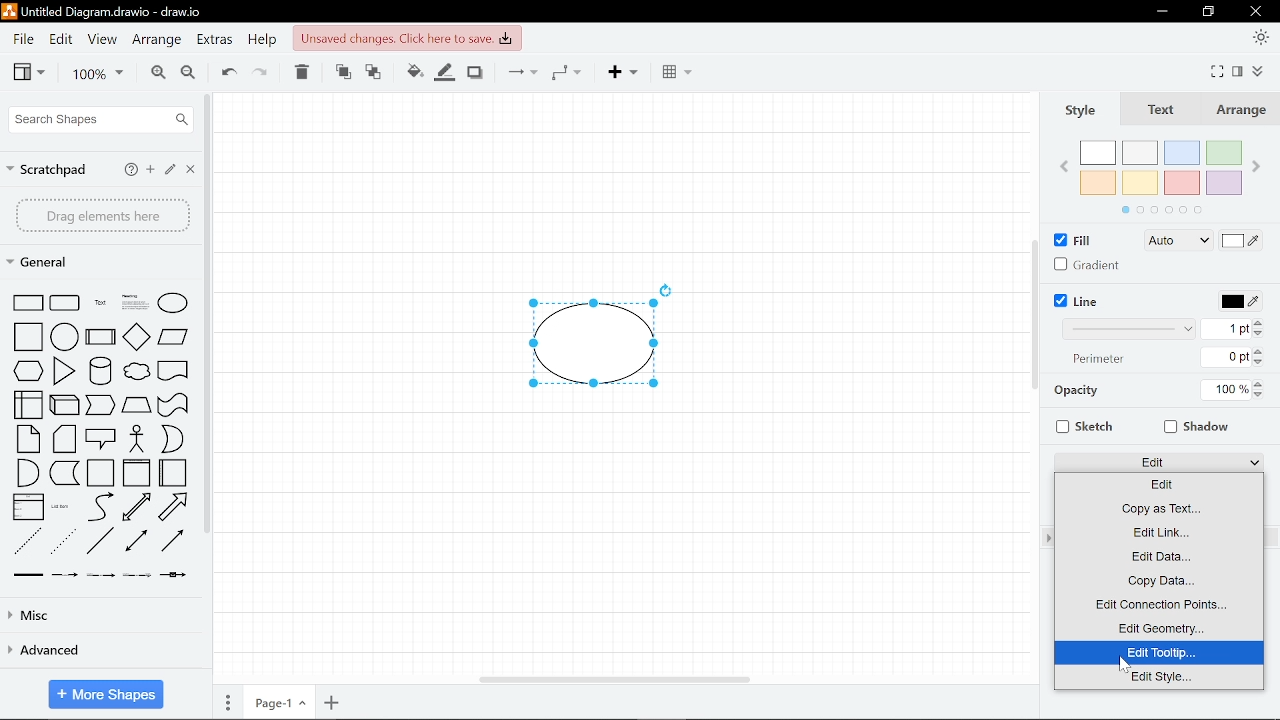 Image resolution: width=1280 pixels, height=720 pixels. Describe the element at coordinates (94, 73) in the screenshot. I see `` at that location.